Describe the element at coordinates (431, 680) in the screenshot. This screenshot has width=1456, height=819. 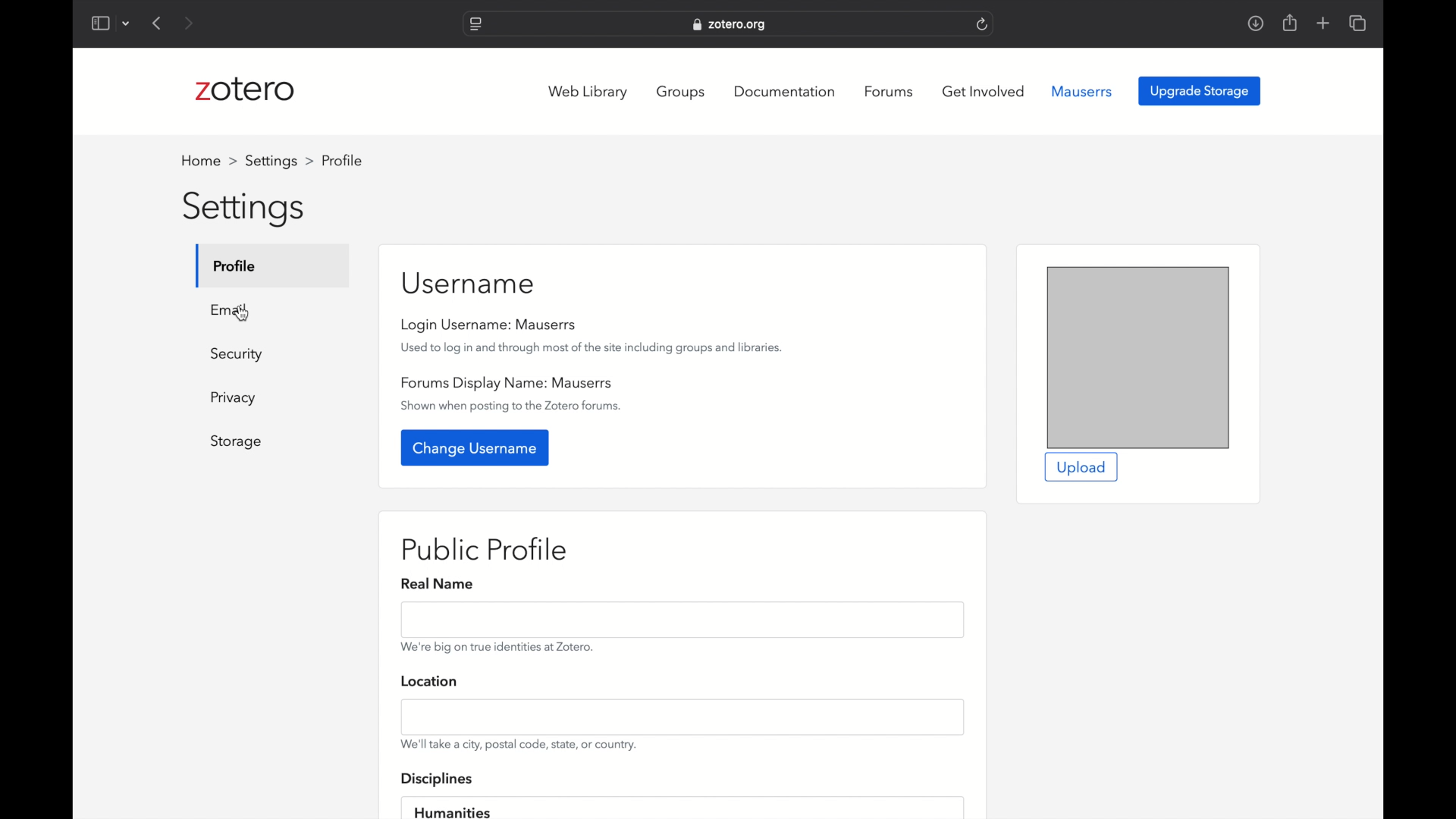
I see `location` at that location.